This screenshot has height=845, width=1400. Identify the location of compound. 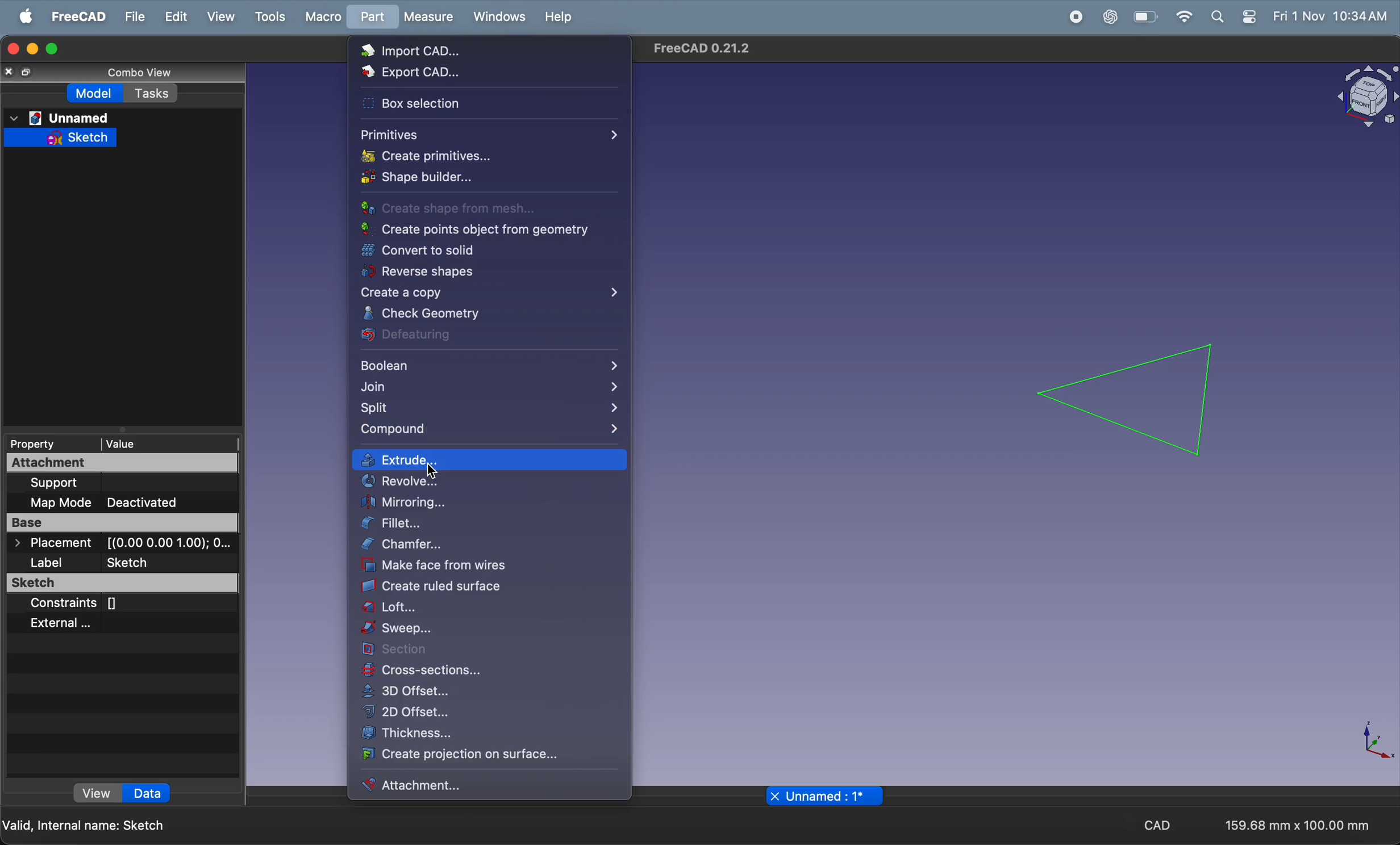
(484, 429).